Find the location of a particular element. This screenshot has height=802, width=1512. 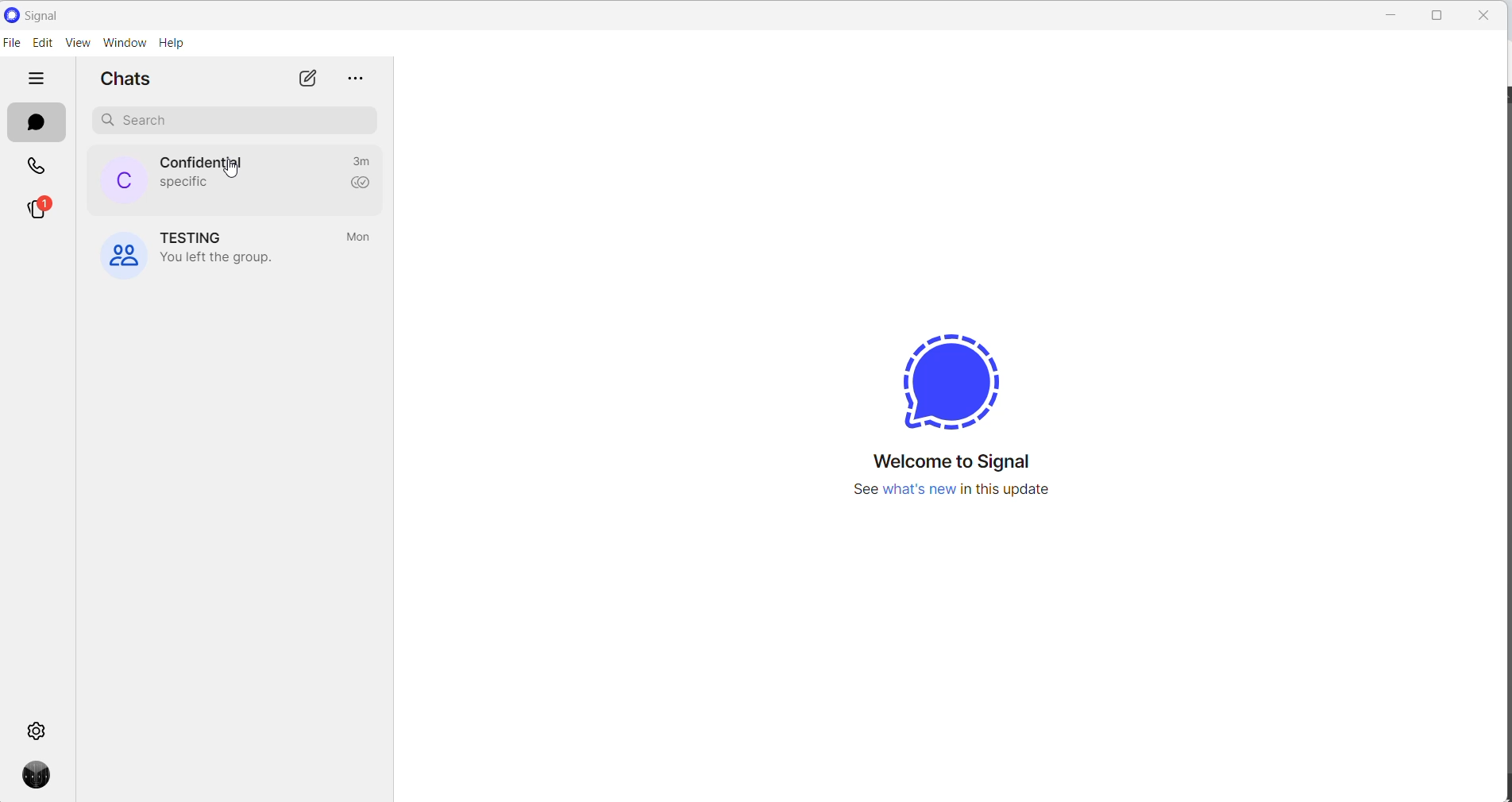

help is located at coordinates (172, 44).